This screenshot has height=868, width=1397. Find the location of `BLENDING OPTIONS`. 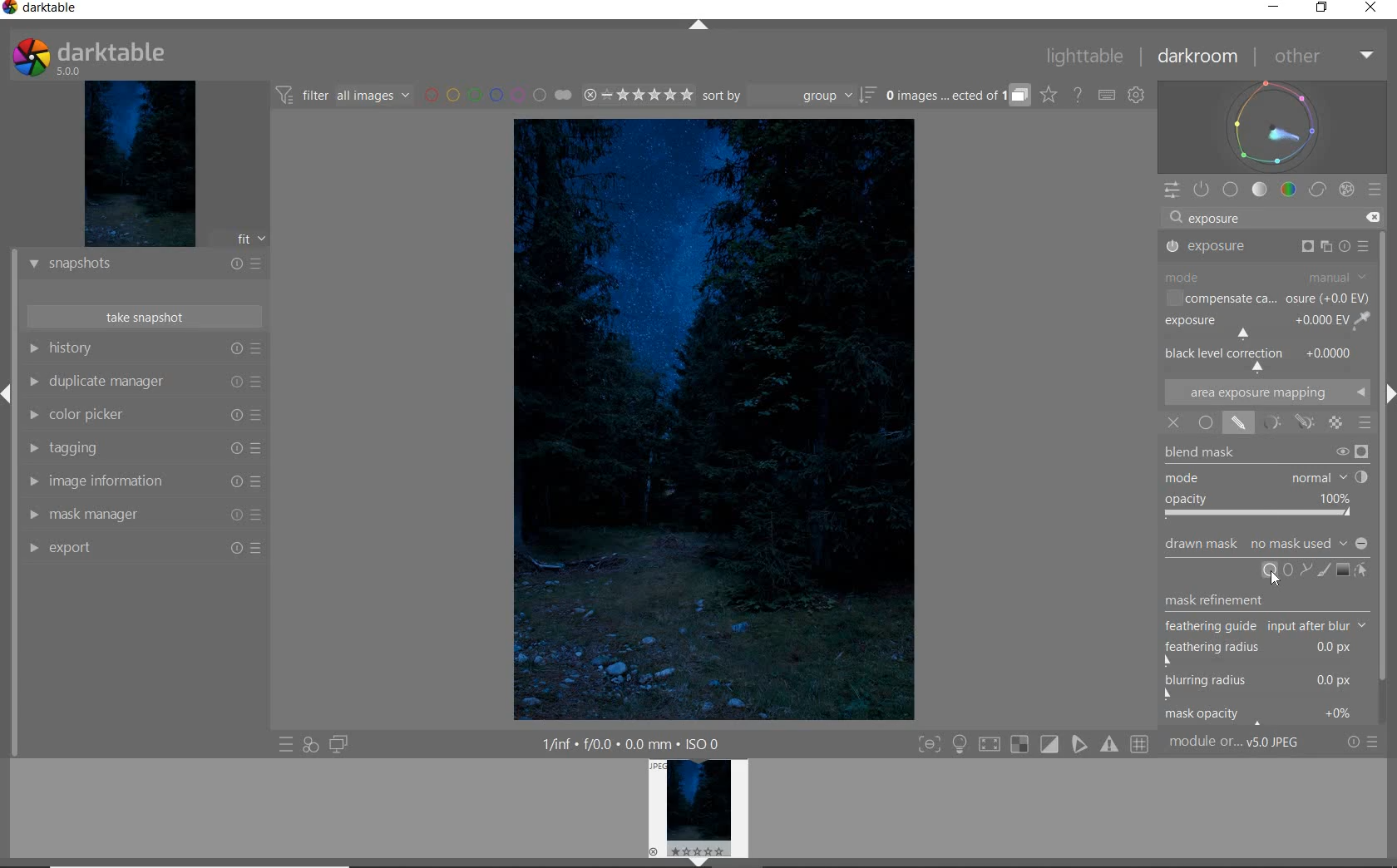

BLENDING OPTIONS is located at coordinates (1365, 423).